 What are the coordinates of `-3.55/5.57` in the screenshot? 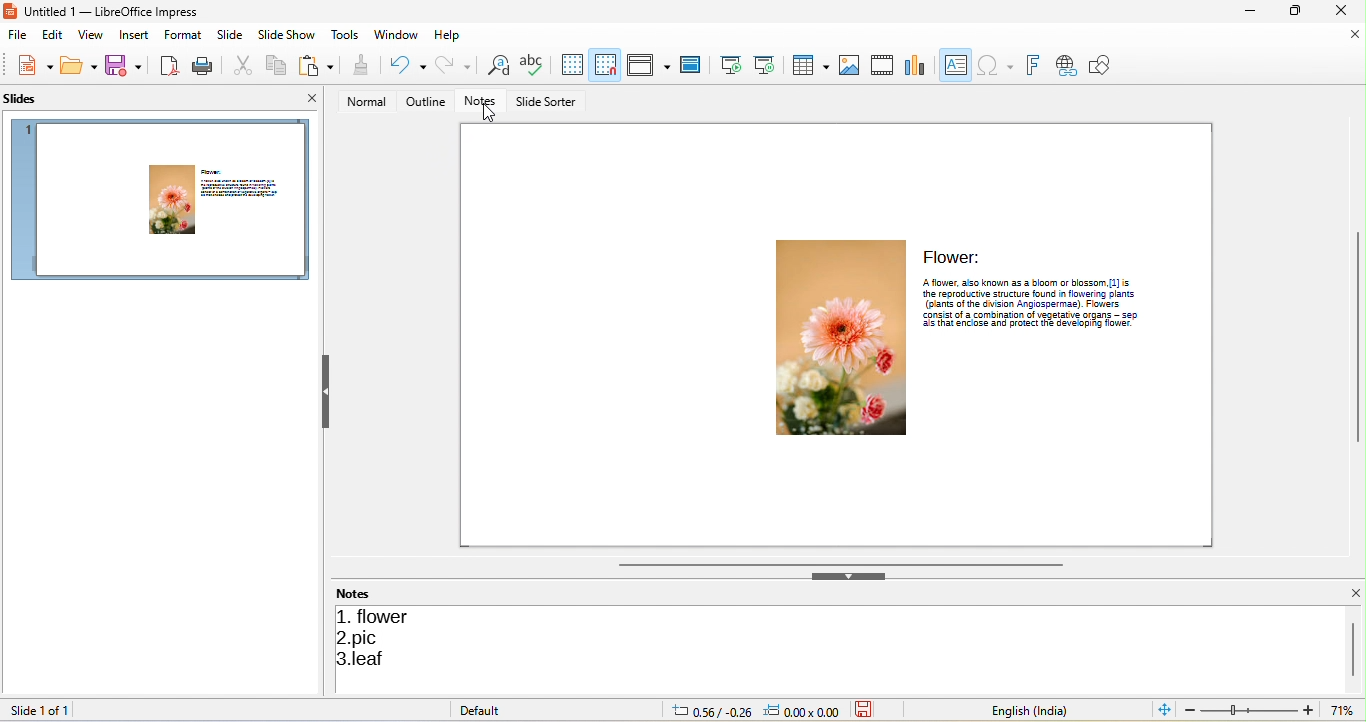 It's located at (707, 710).